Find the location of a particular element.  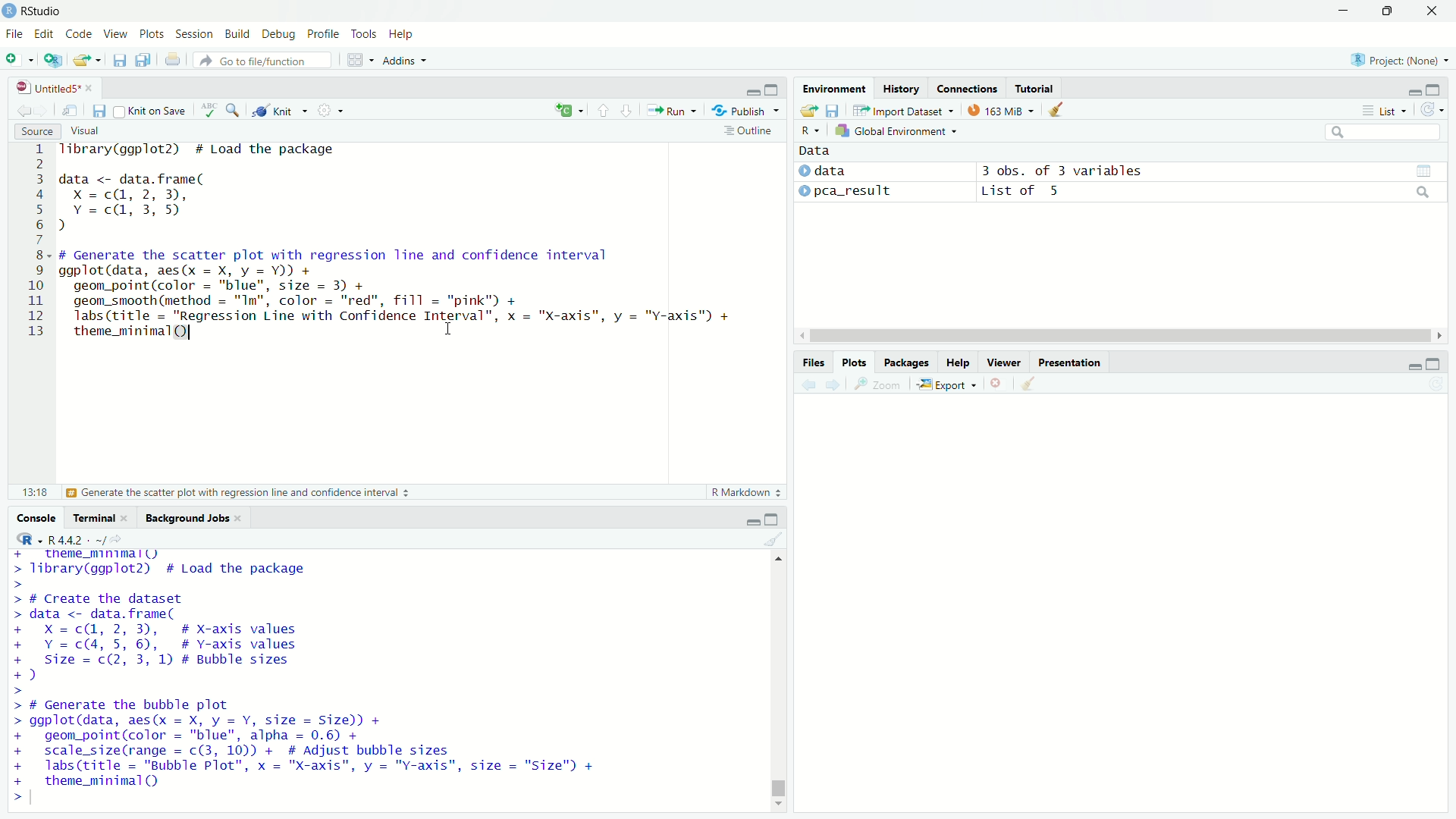

Packages is located at coordinates (905, 362).